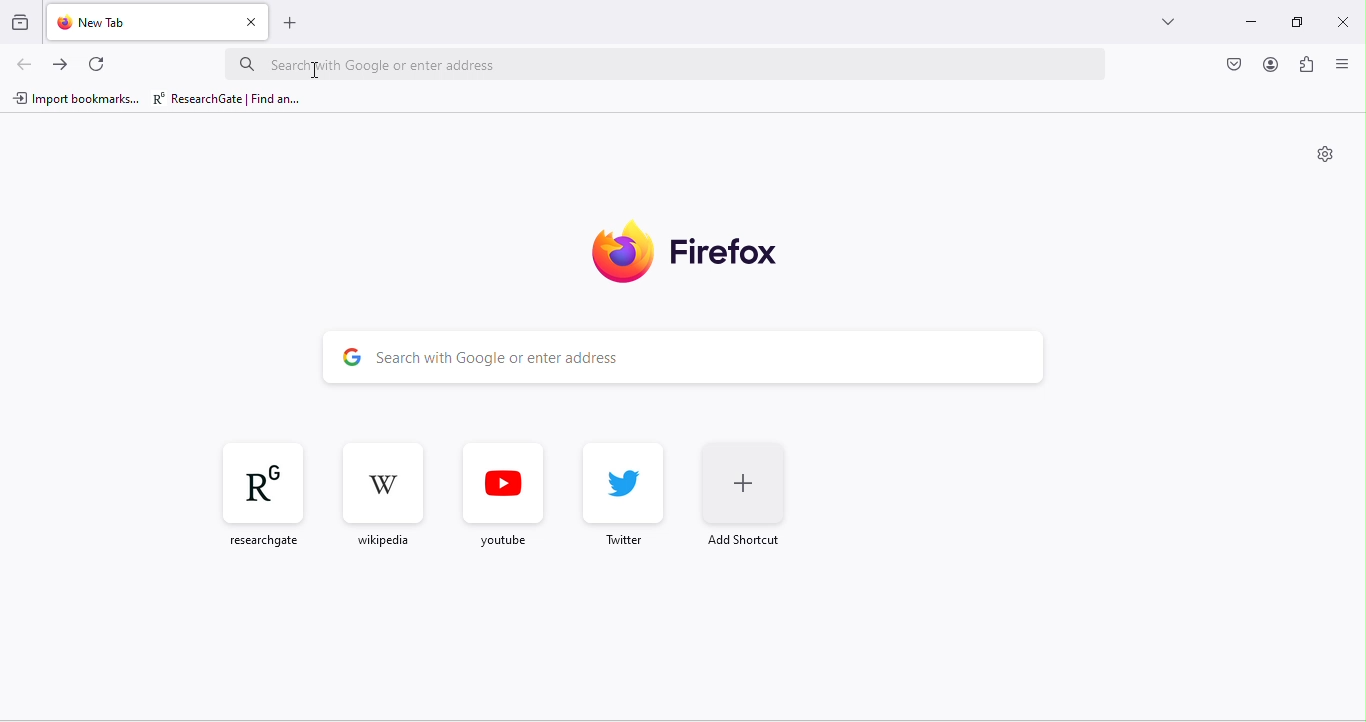 This screenshot has height=722, width=1366. I want to click on view recent, so click(20, 21).